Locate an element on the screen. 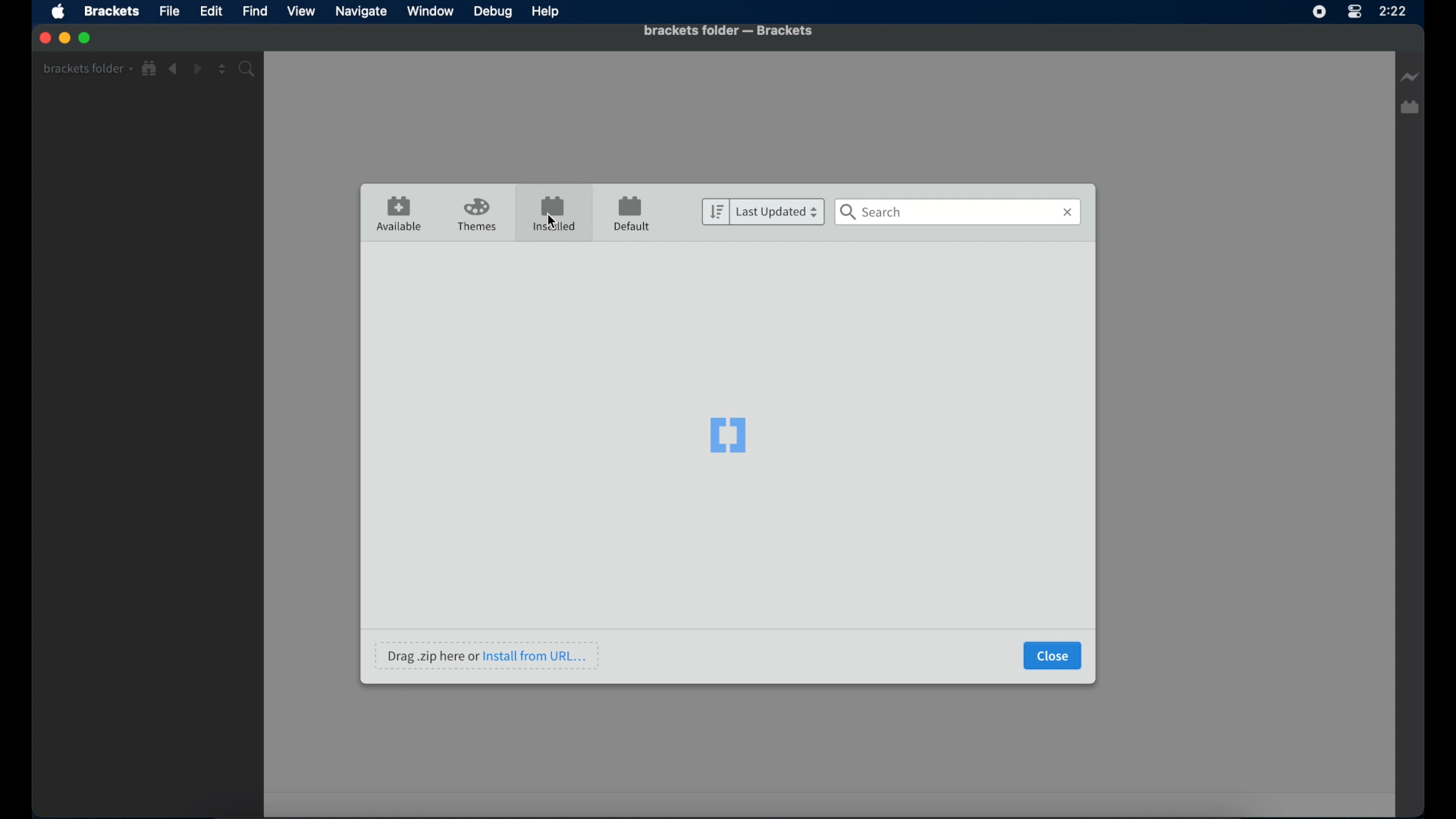 The height and width of the screenshot is (819, 1456). search bar is located at coordinates (959, 212).